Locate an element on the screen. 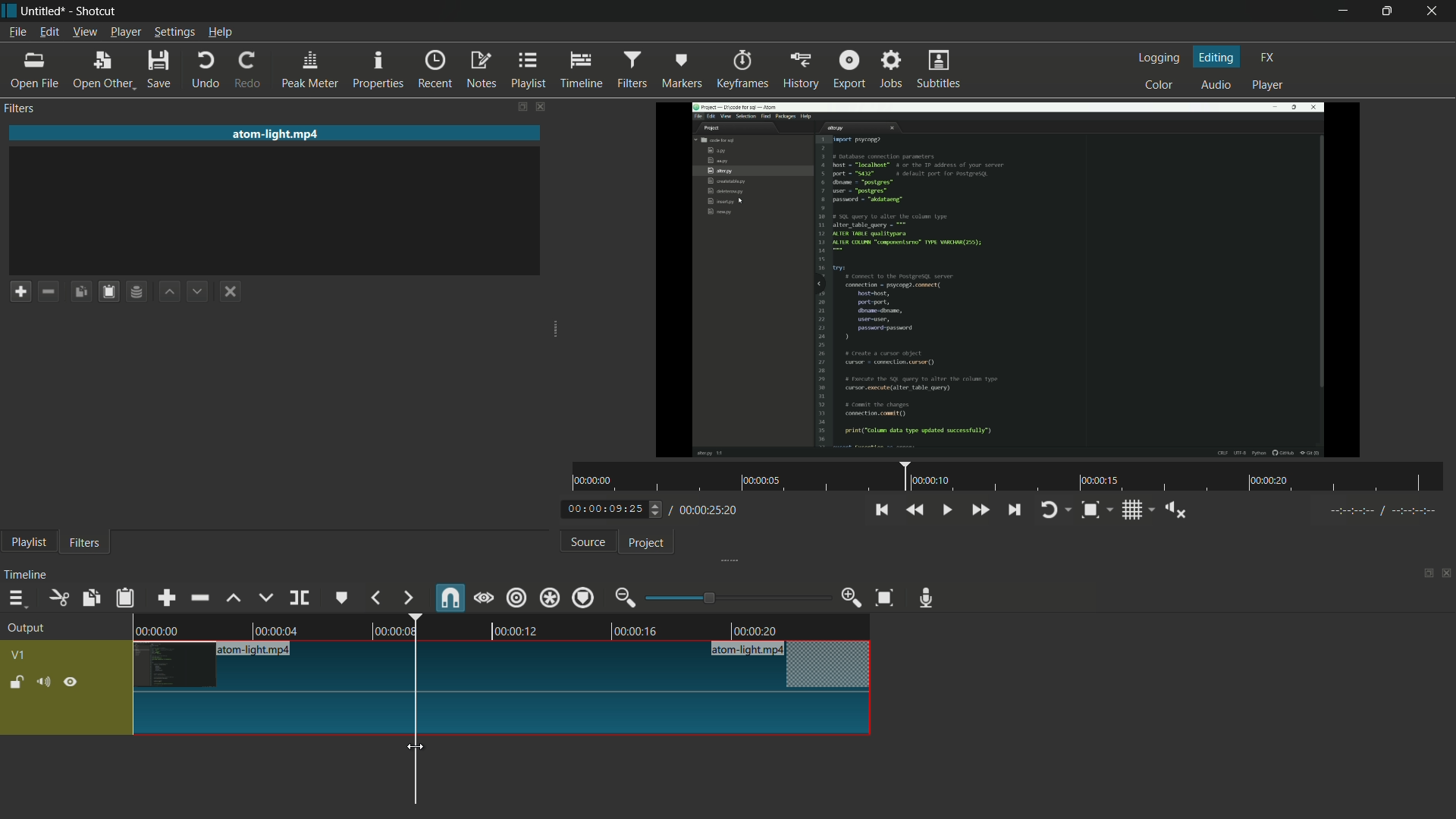  app name is located at coordinates (97, 11).